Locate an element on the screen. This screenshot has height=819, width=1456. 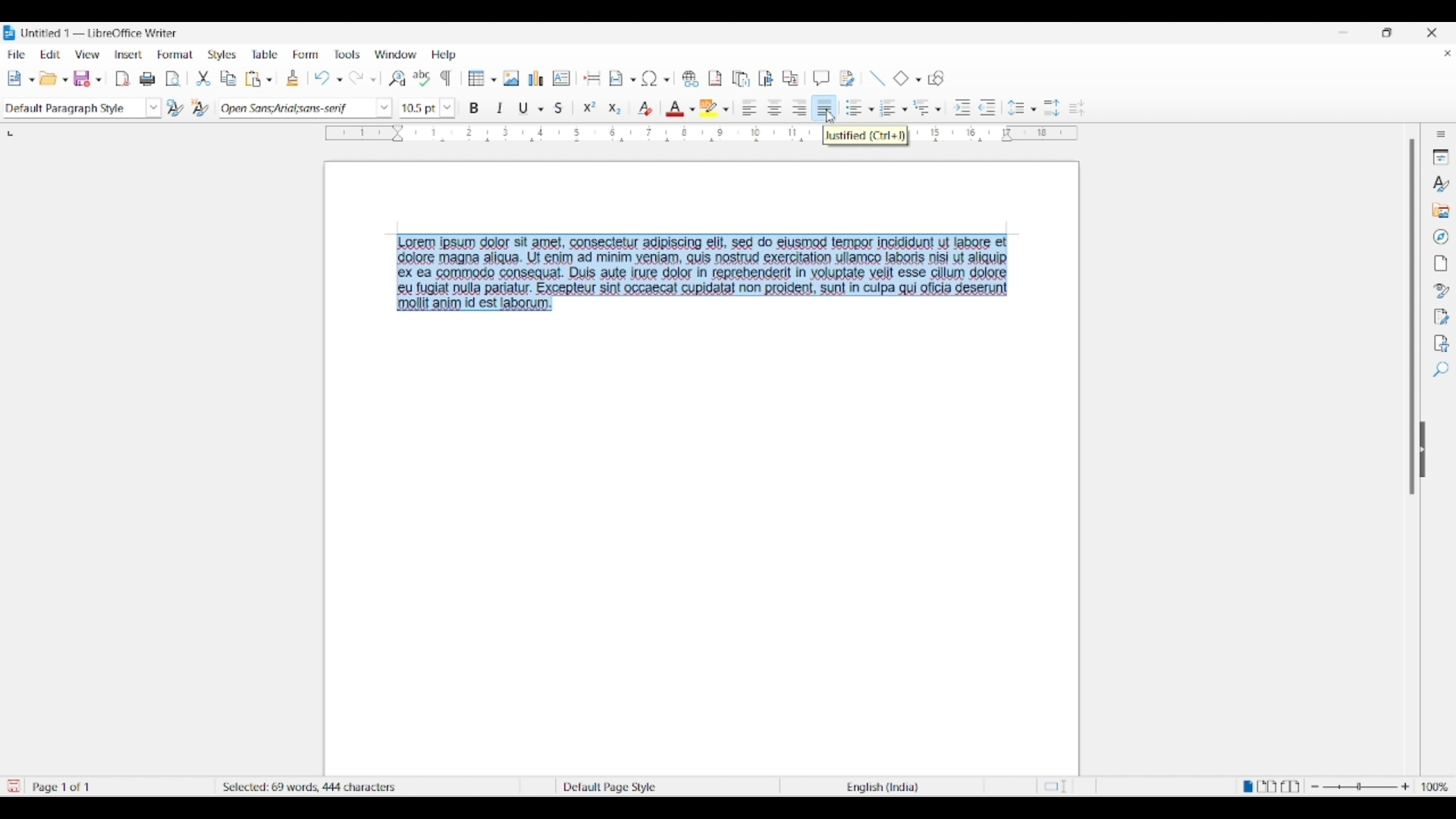
Bold is located at coordinates (475, 108).